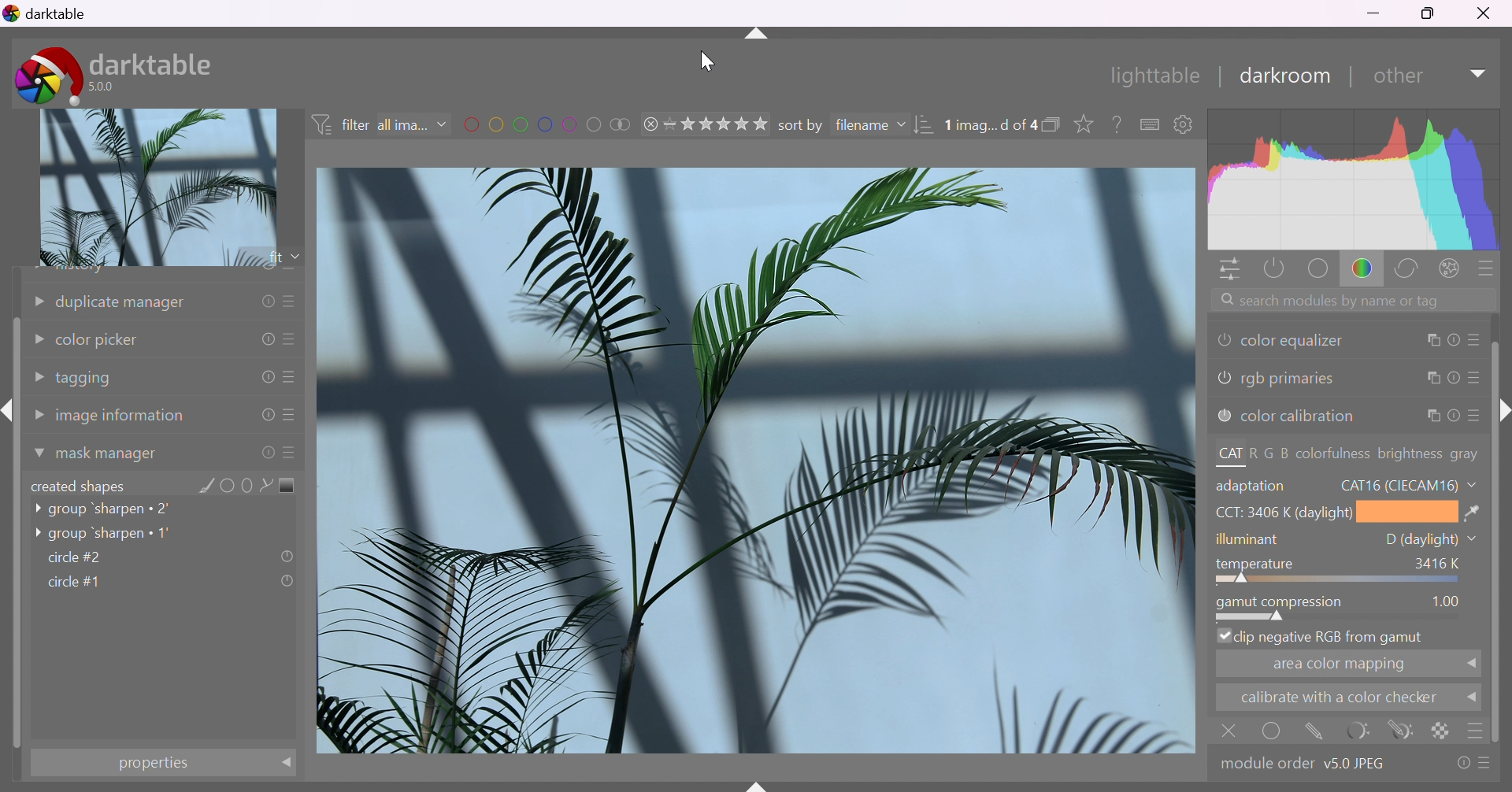 Image resolution: width=1512 pixels, height=792 pixels. Describe the element at coordinates (1321, 637) in the screenshot. I see `clip negetive RGB` at that location.